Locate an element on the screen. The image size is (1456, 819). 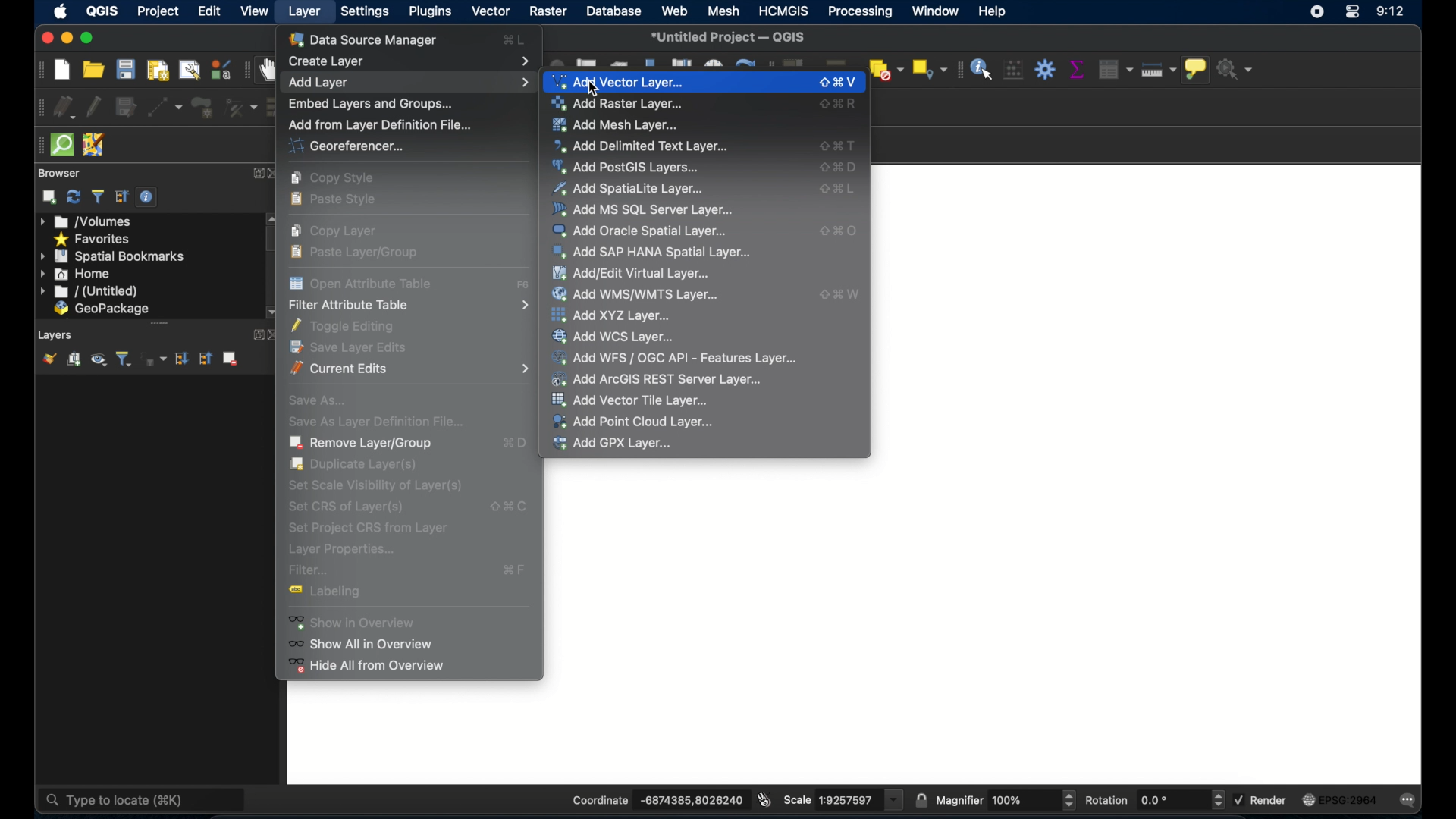
scale is located at coordinates (843, 799).